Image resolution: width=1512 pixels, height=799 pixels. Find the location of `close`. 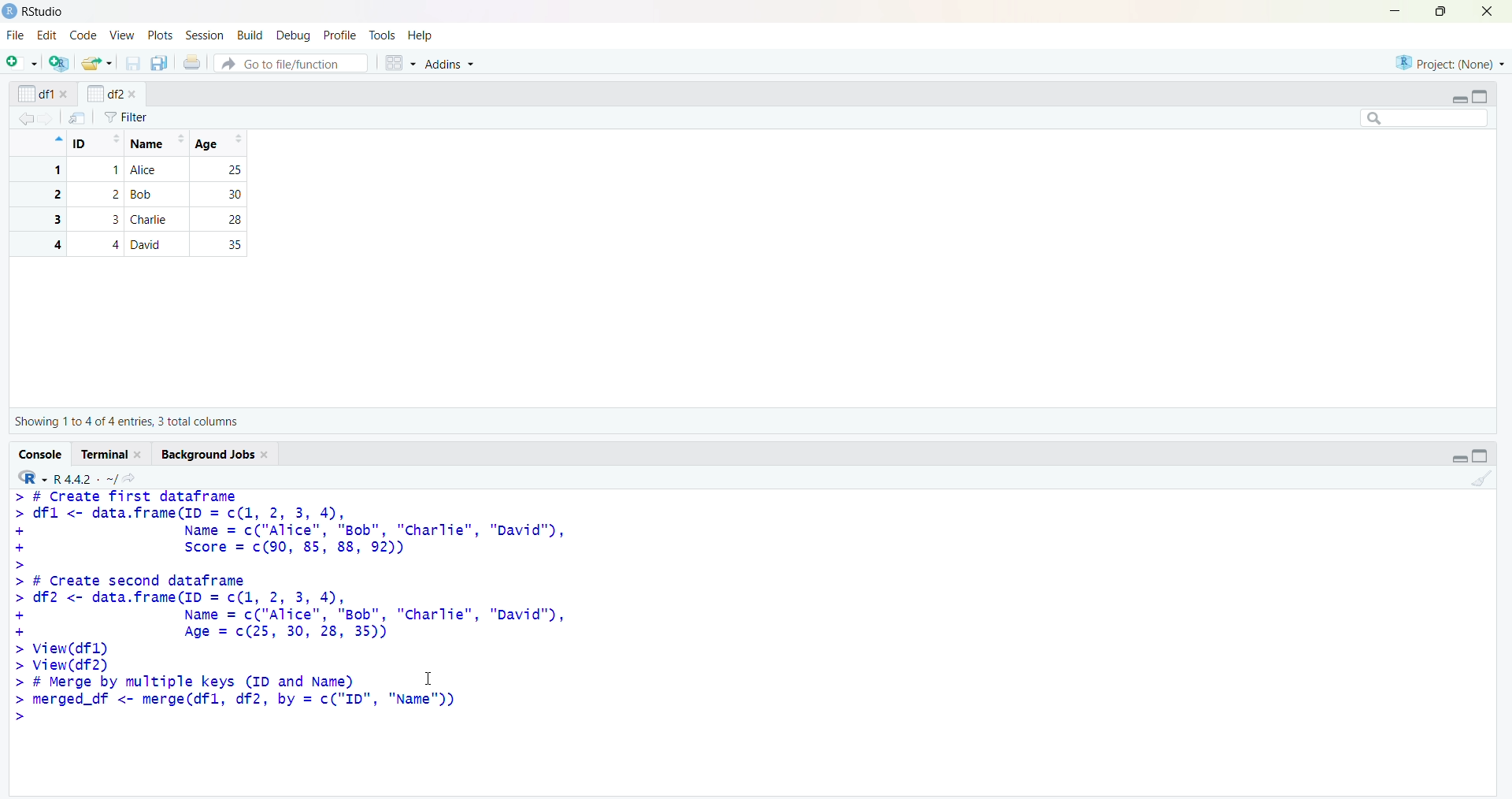

close is located at coordinates (1488, 11).